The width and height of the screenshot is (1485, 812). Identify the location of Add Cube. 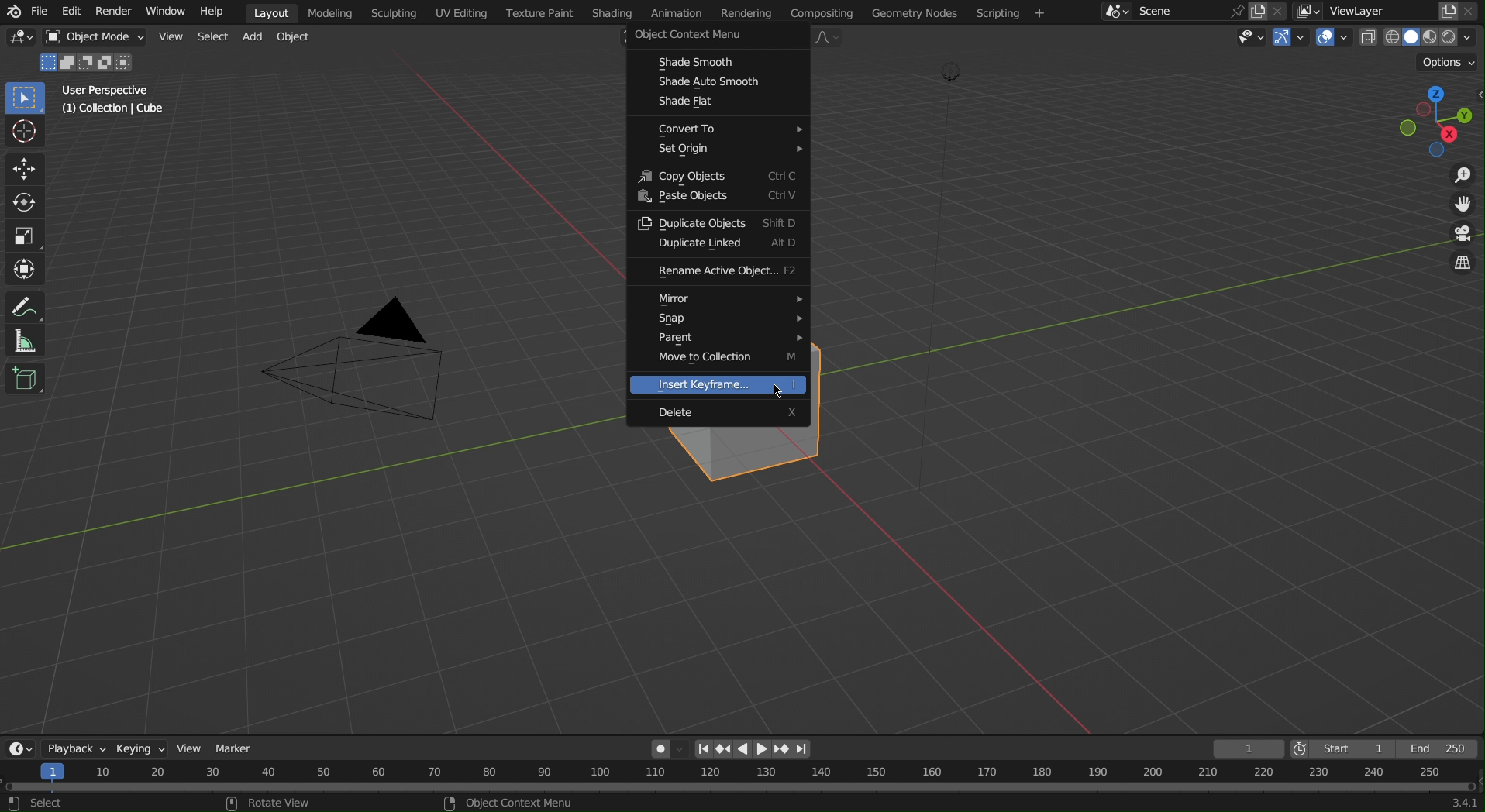
(25, 379).